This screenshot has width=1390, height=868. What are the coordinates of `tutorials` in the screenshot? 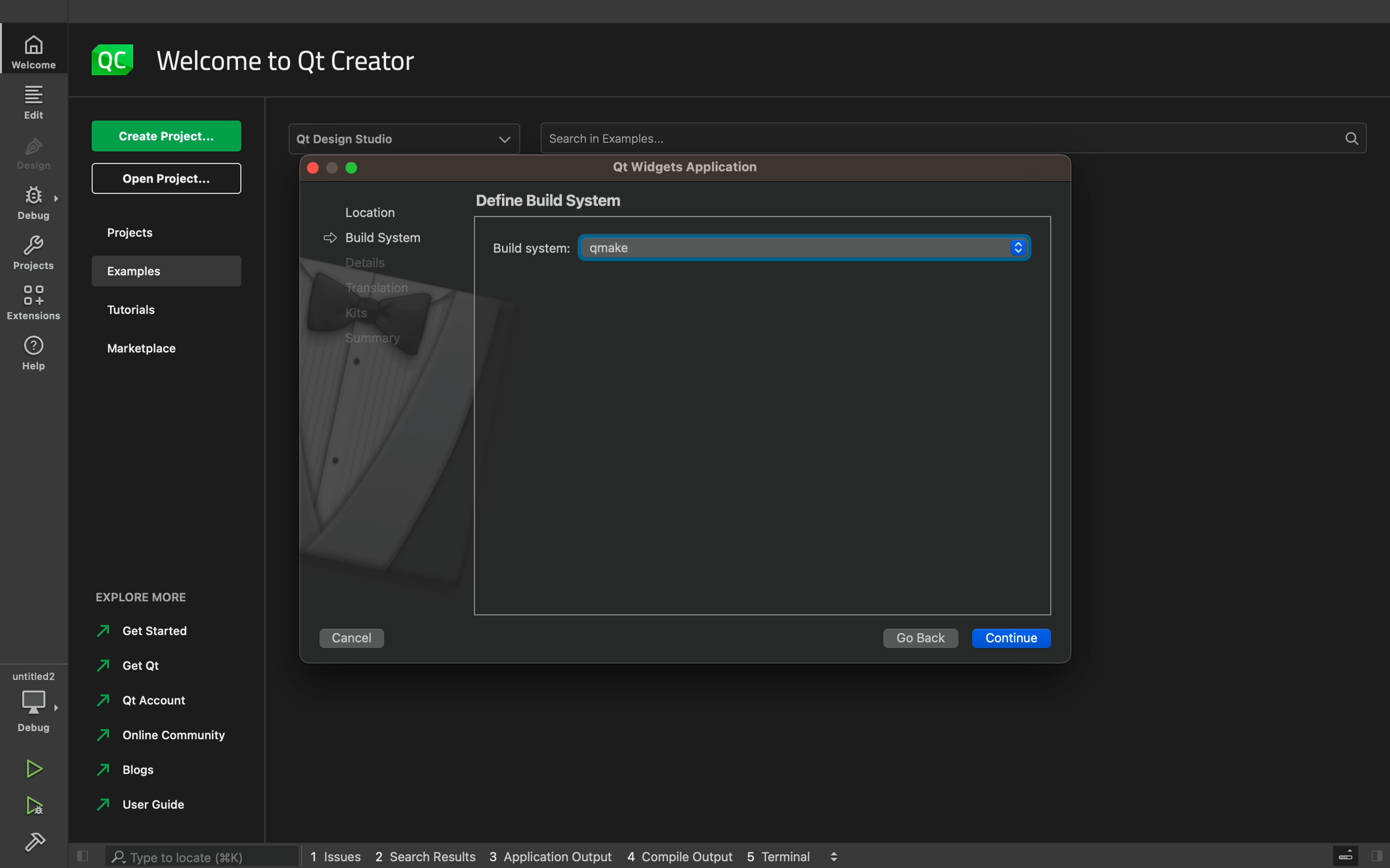 It's located at (155, 312).